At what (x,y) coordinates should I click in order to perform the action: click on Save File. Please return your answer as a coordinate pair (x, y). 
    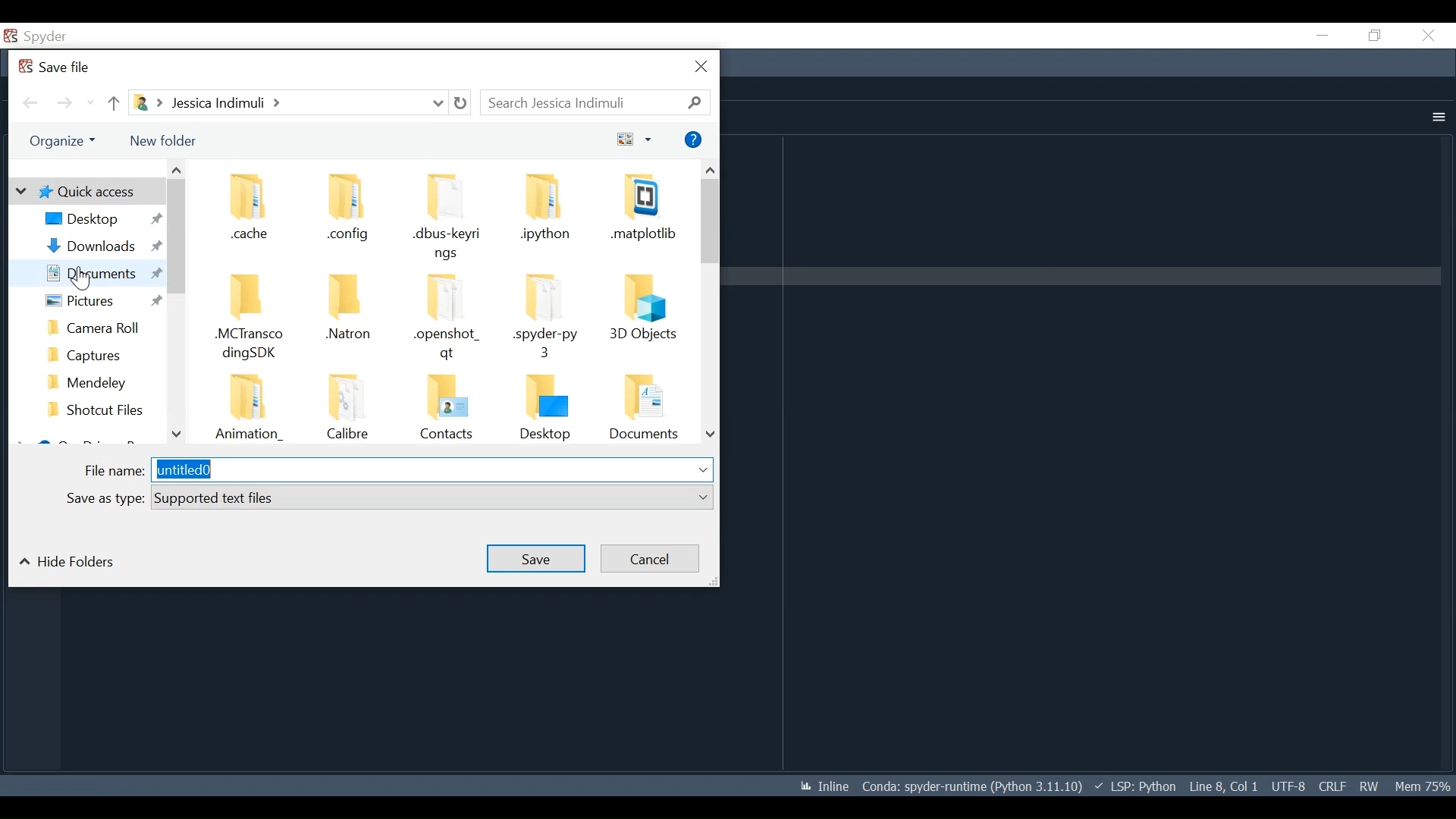
    Looking at the image, I should click on (57, 67).